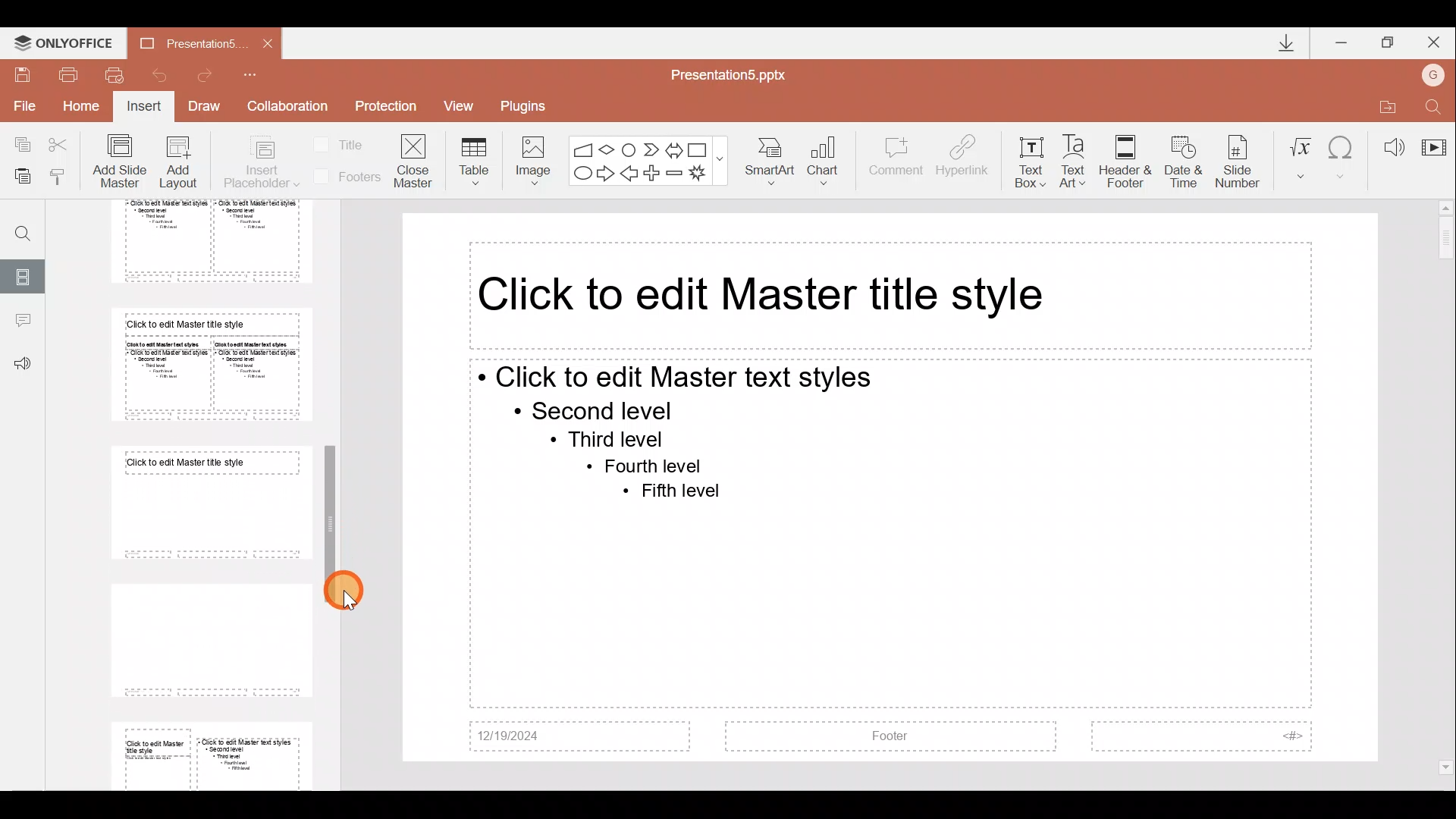 Image resolution: width=1456 pixels, height=819 pixels. I want to click on Left arrow, so click(630, 174).